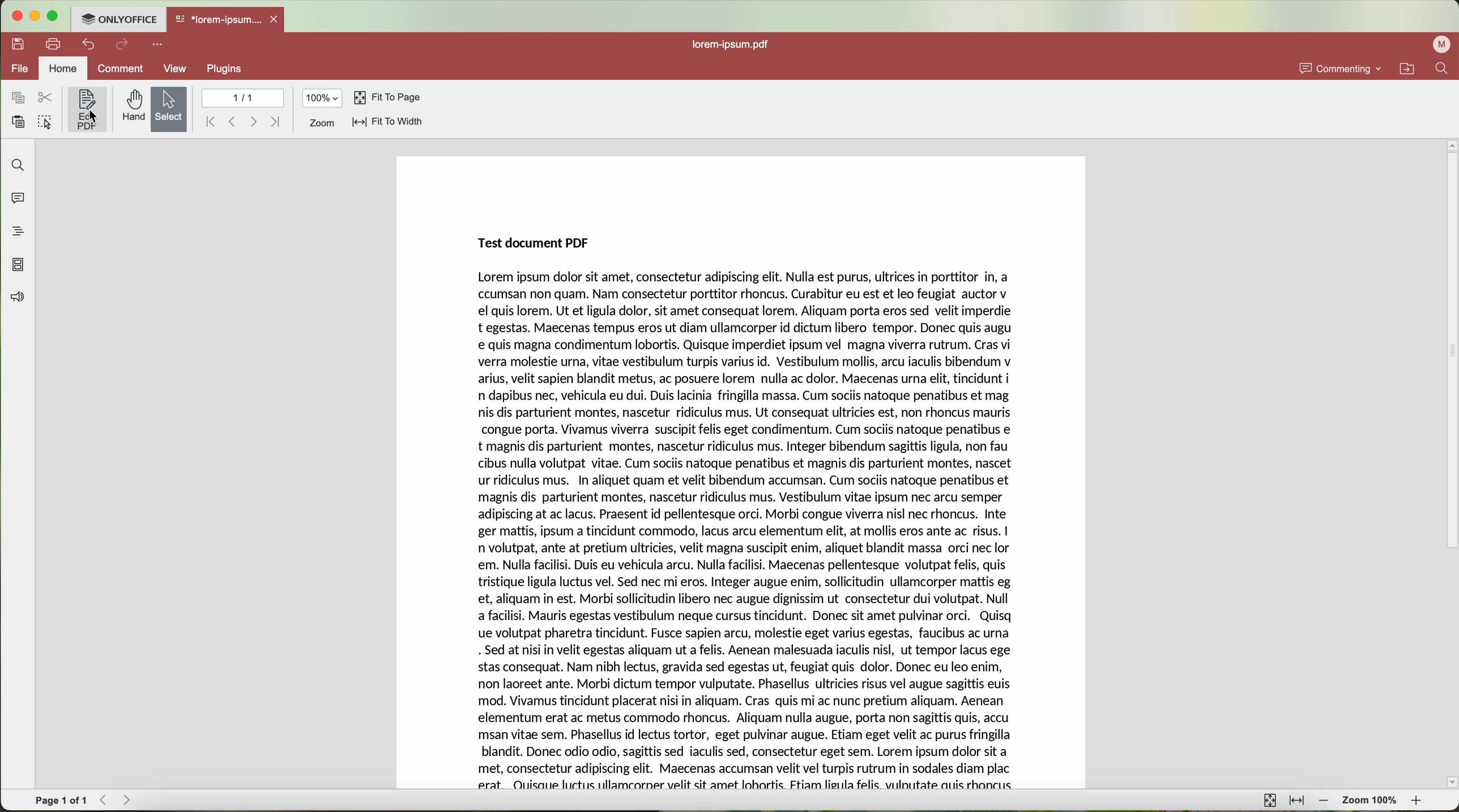  What do you see at coordinates (88, 111) in the screenshot?
I see `click on edit PDF` at bounding box center [88, 111].